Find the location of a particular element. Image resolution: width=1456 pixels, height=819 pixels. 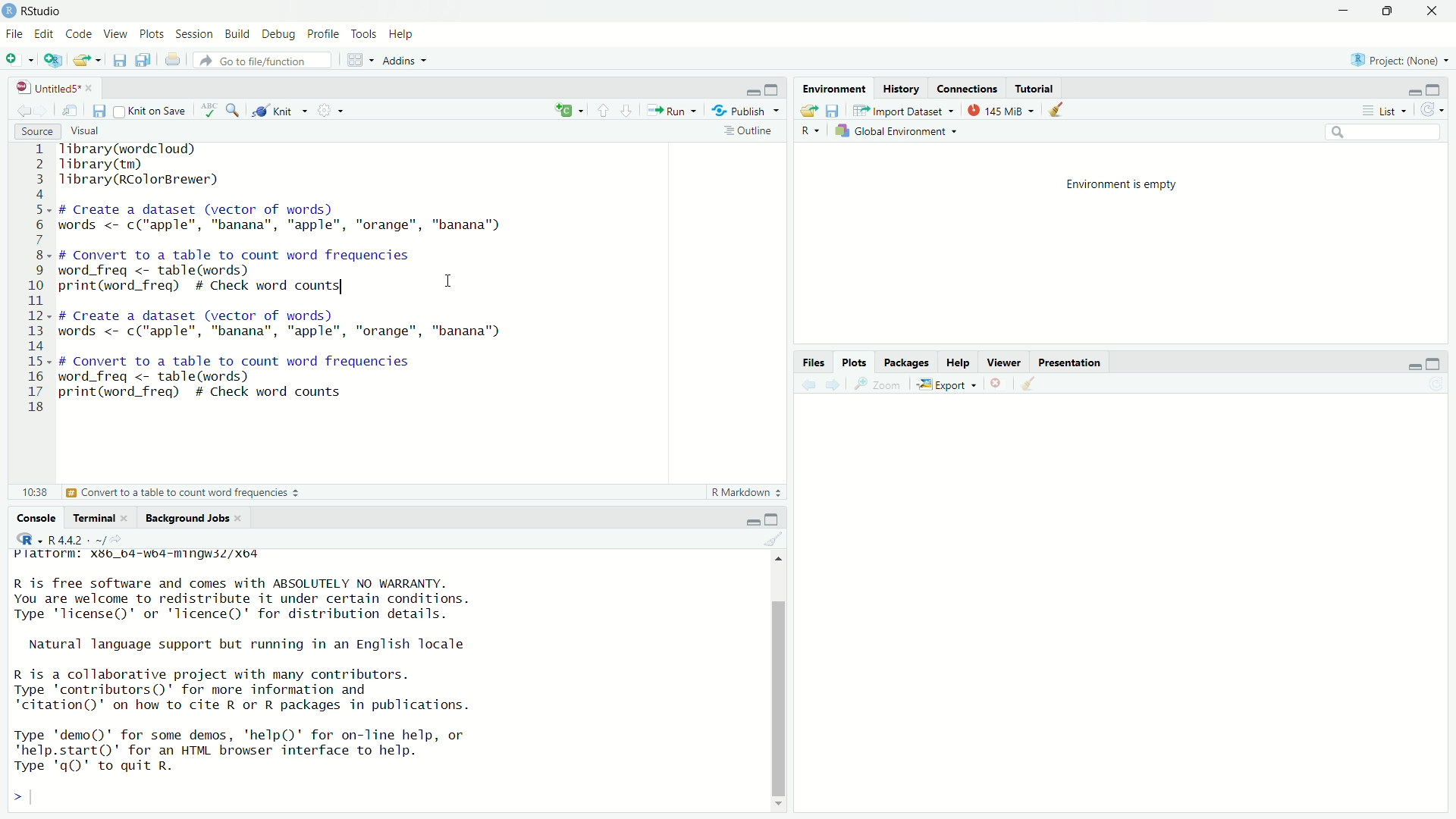

Tutorial is located at coordinates (1036, 87).